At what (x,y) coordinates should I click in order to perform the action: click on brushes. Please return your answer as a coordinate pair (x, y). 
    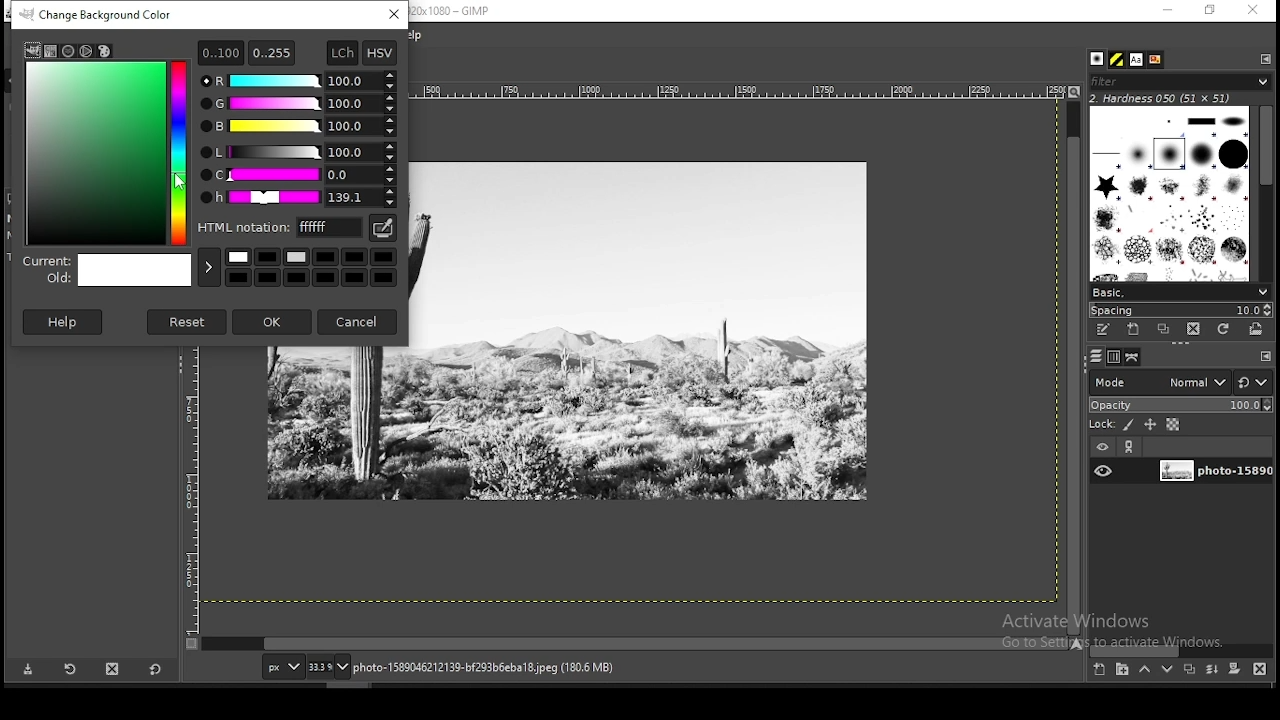
    Looking at the image, I should click on (1099, 59).